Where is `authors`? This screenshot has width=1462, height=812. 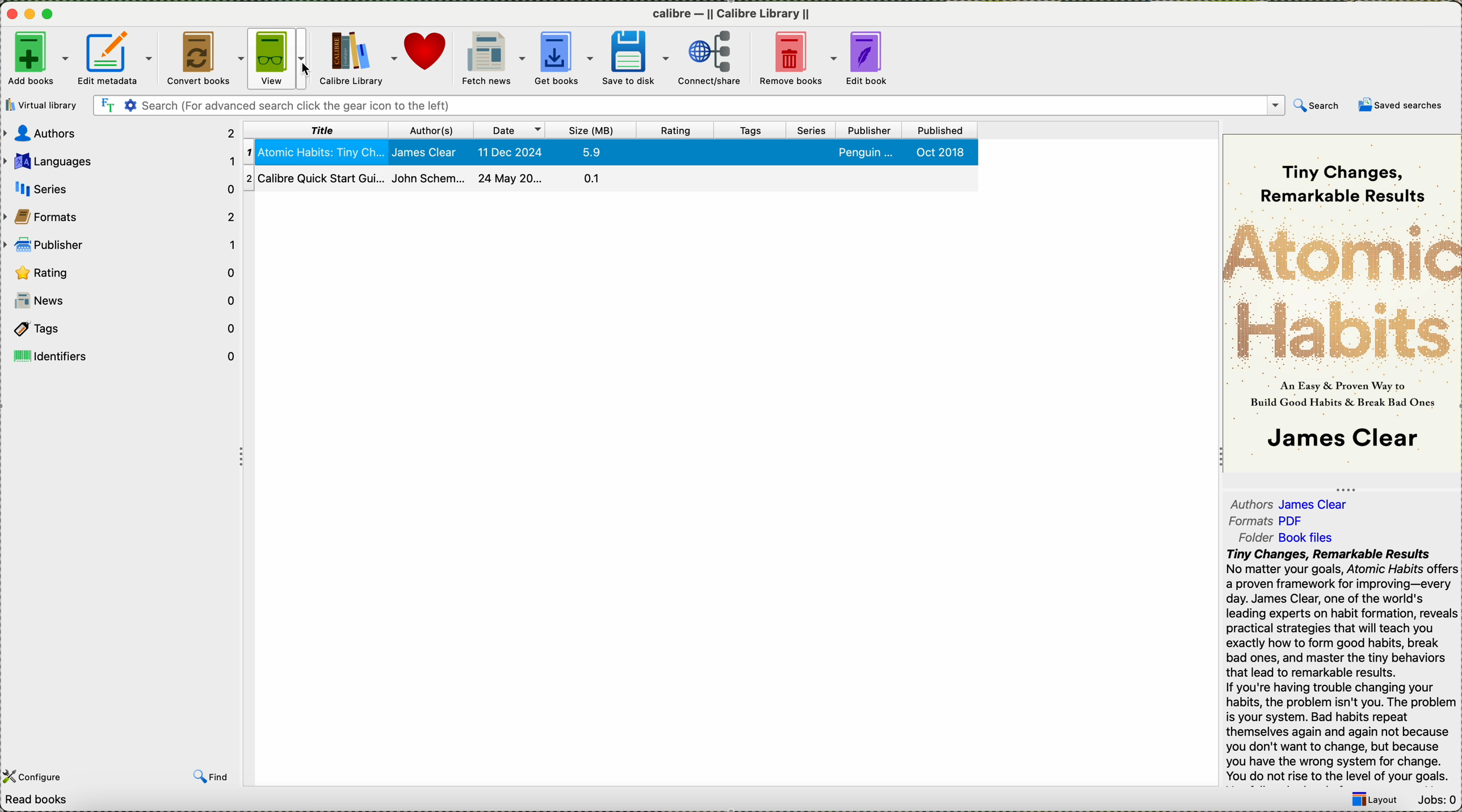
authors is located at coordinates (119, 133).